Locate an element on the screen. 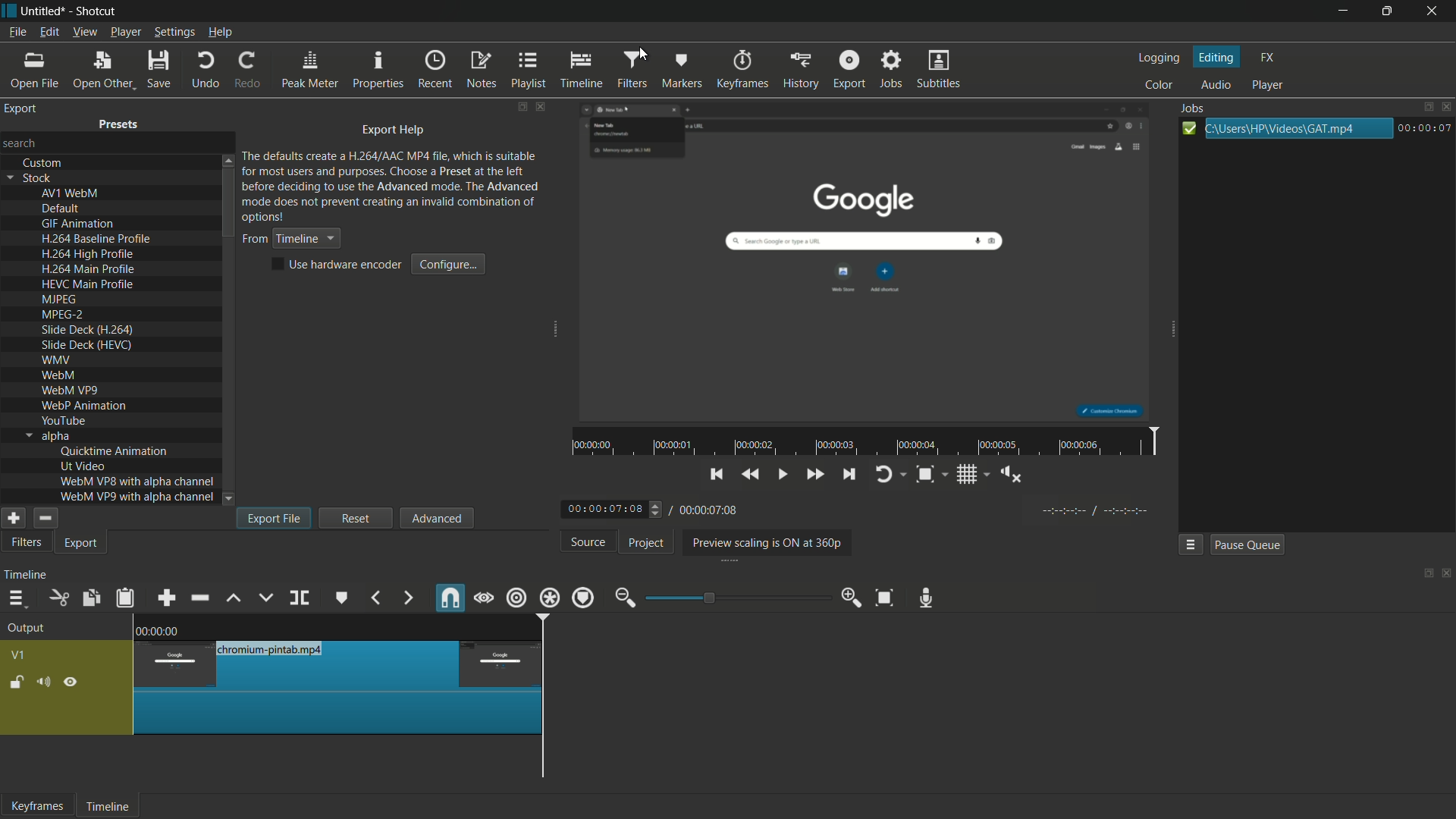 This screenshot has width=1456, height=819. WebM is located at coordinates (57, 375).